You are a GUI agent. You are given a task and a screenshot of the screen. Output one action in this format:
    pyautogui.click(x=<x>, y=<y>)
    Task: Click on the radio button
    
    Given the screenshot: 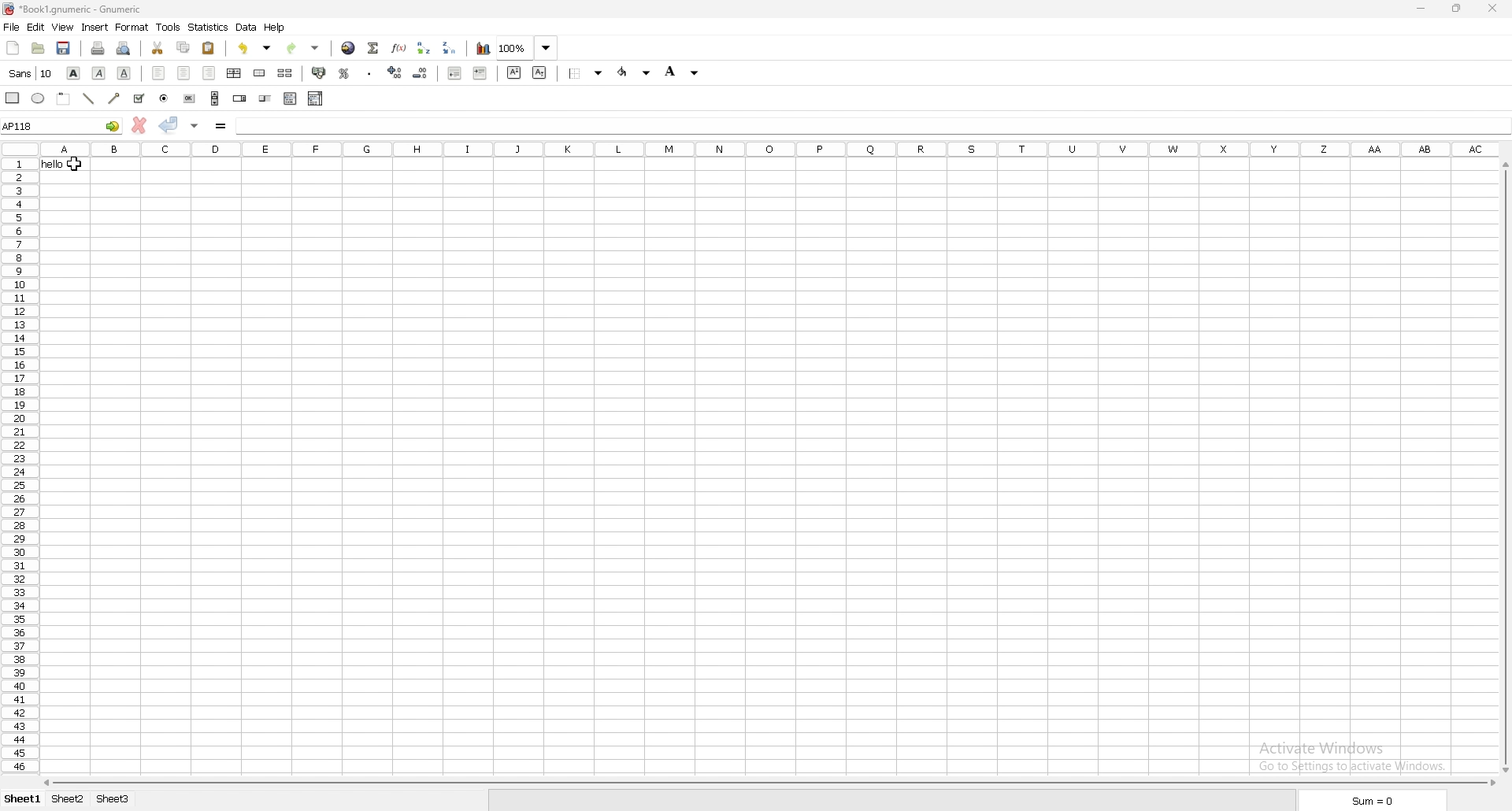 What is the action you would take?
    pyautogui.click(x=164, y=98)
    